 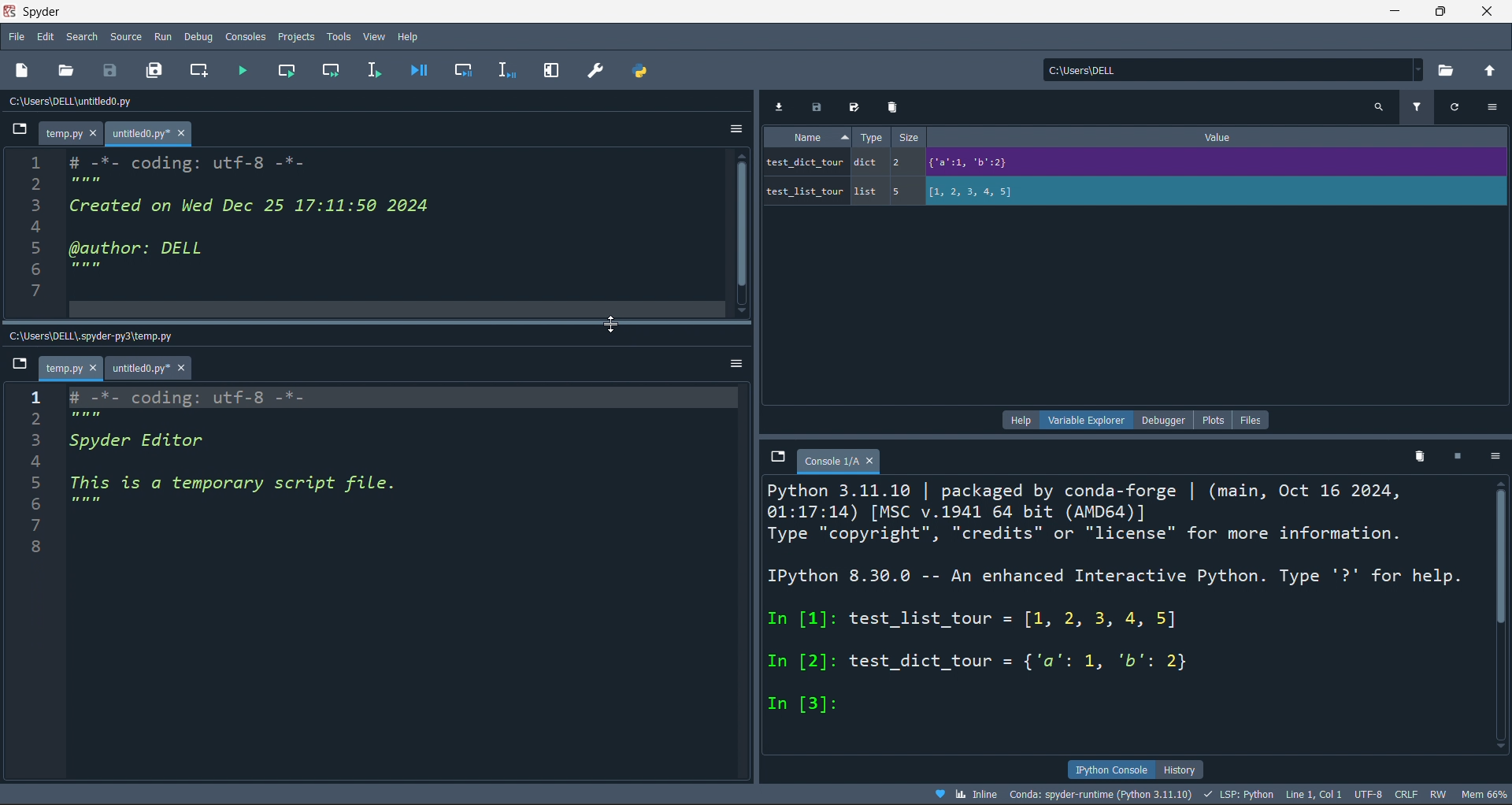 I want to click on save data as, so click(x=858, y=107).